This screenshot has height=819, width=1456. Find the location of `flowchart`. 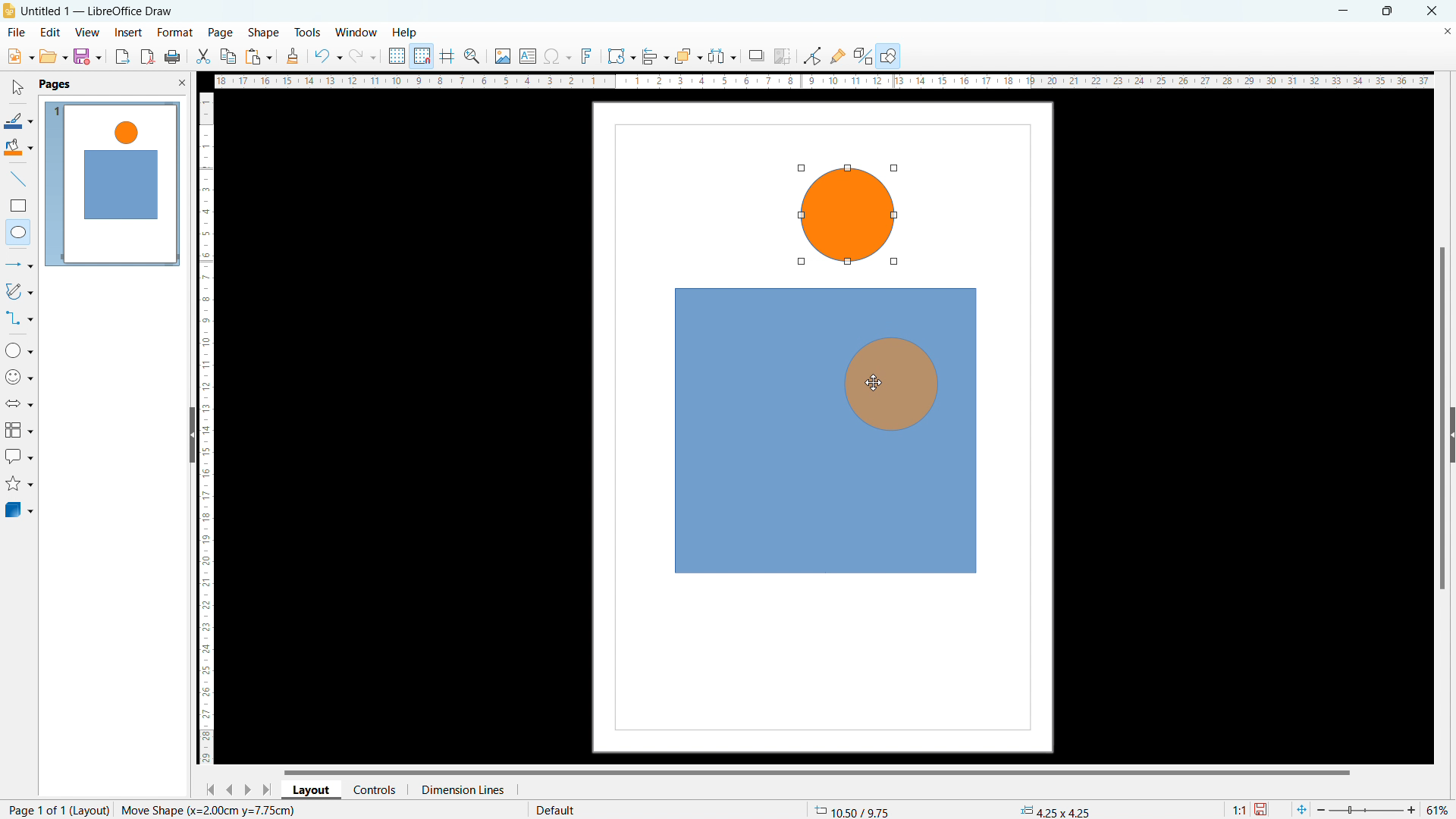

flowchart is located at coordinates (20, 430).